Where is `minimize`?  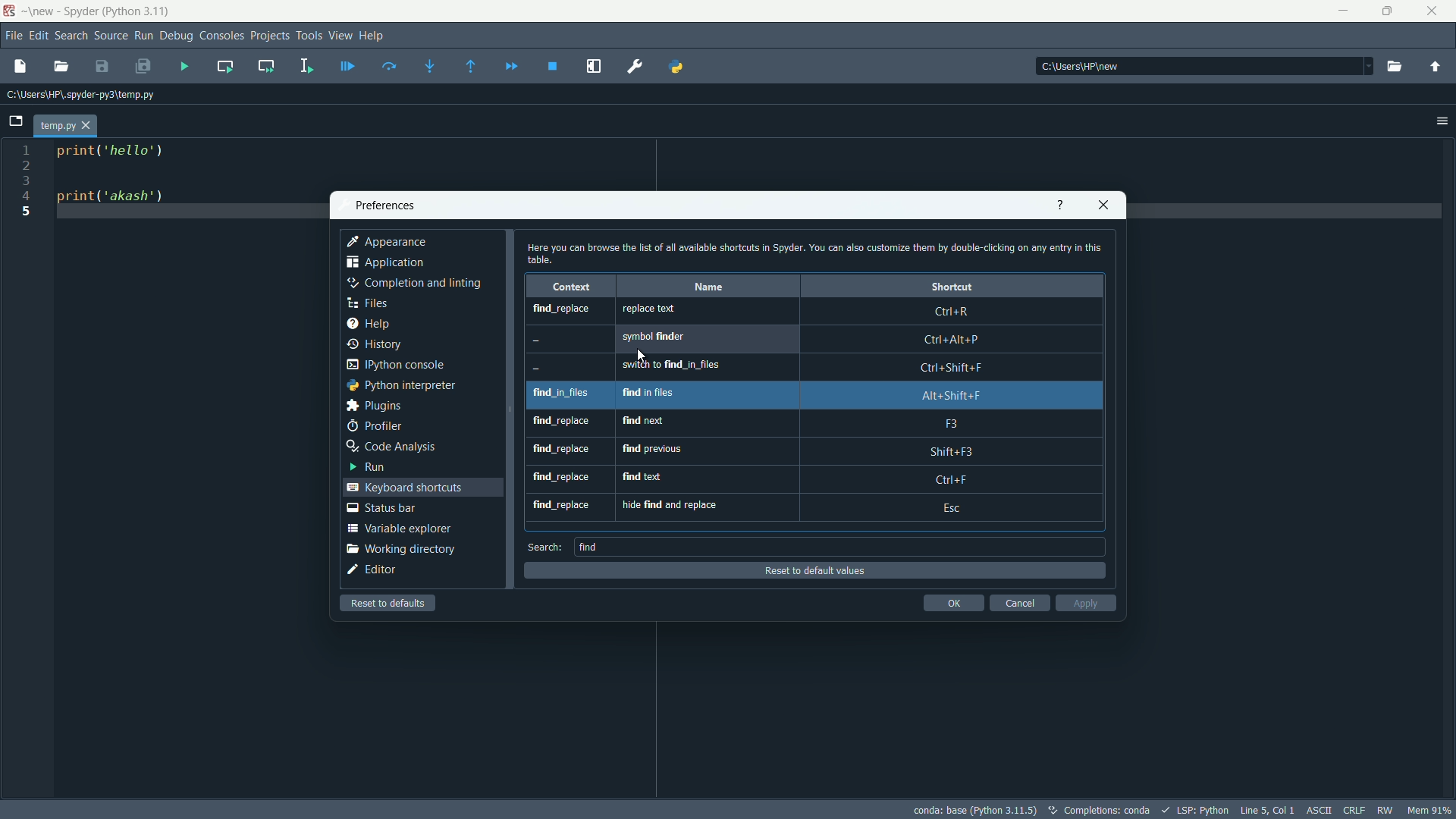 minimize is located at coordinates (1342, 10).